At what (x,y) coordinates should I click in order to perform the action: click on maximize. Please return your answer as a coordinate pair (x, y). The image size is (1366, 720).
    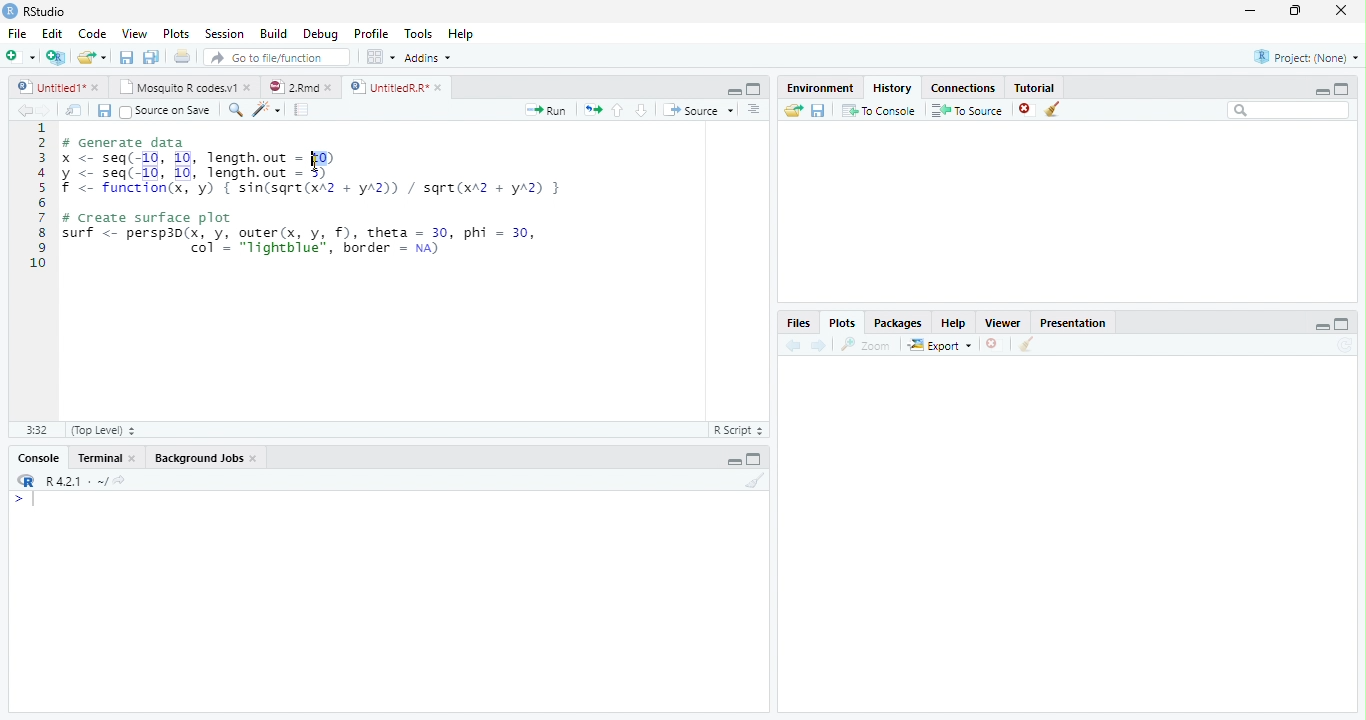
    Looking at the image, I should click on (1342, 89).